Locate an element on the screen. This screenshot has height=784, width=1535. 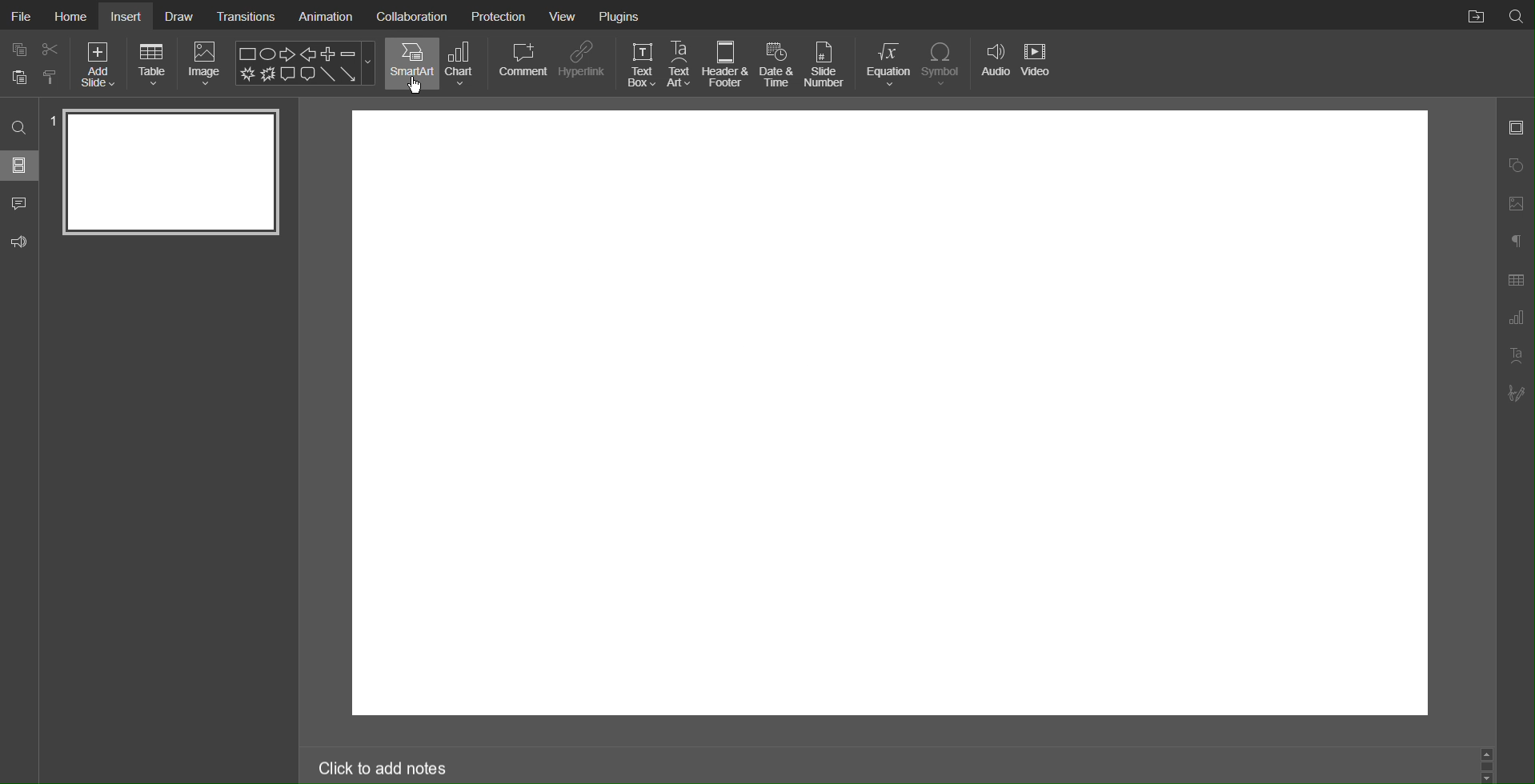
Add Slide is located at coordinates (100, 65).